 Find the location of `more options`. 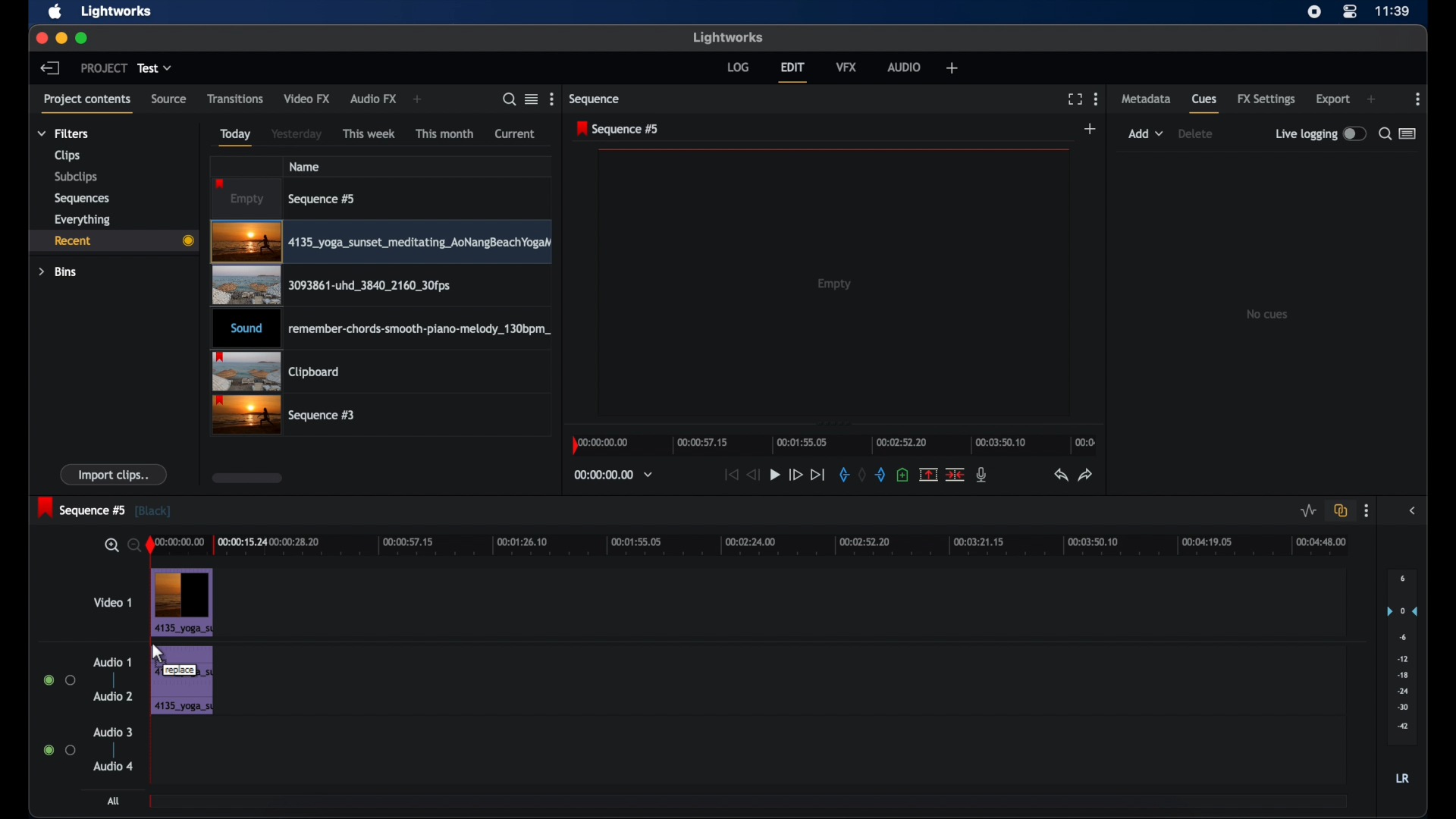

more options is located at coordinates (551, 99).